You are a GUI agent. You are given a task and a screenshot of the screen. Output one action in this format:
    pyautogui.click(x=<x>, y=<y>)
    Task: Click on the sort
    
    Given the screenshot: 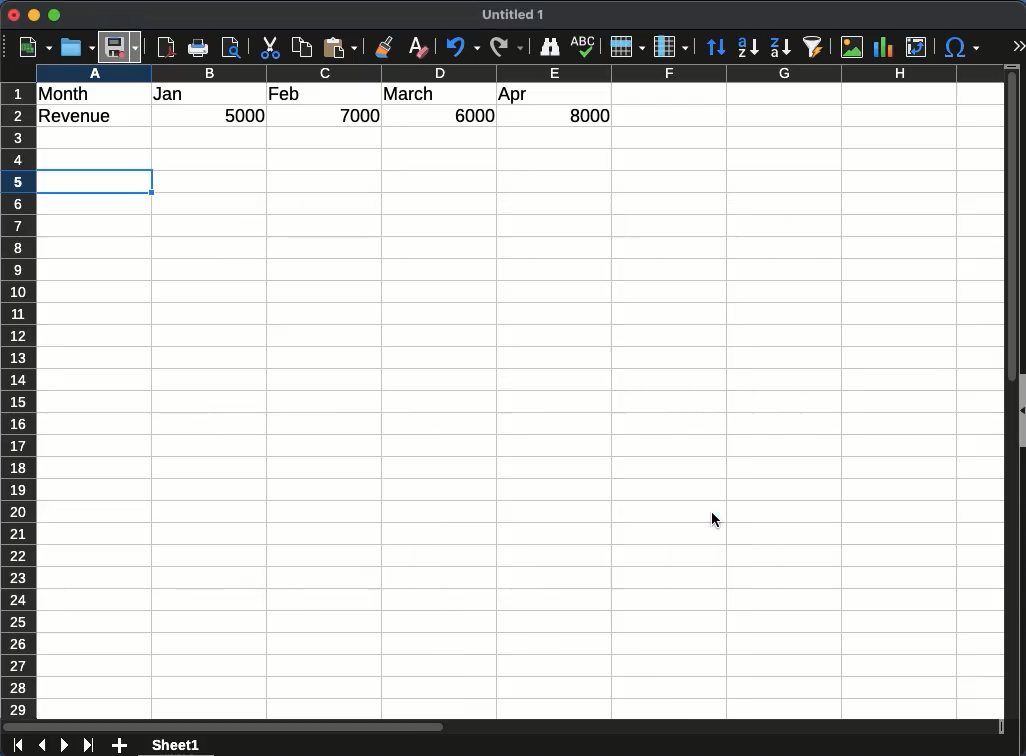 What is the action you would take?
    pyautogui.click(x=716, y=47)
    